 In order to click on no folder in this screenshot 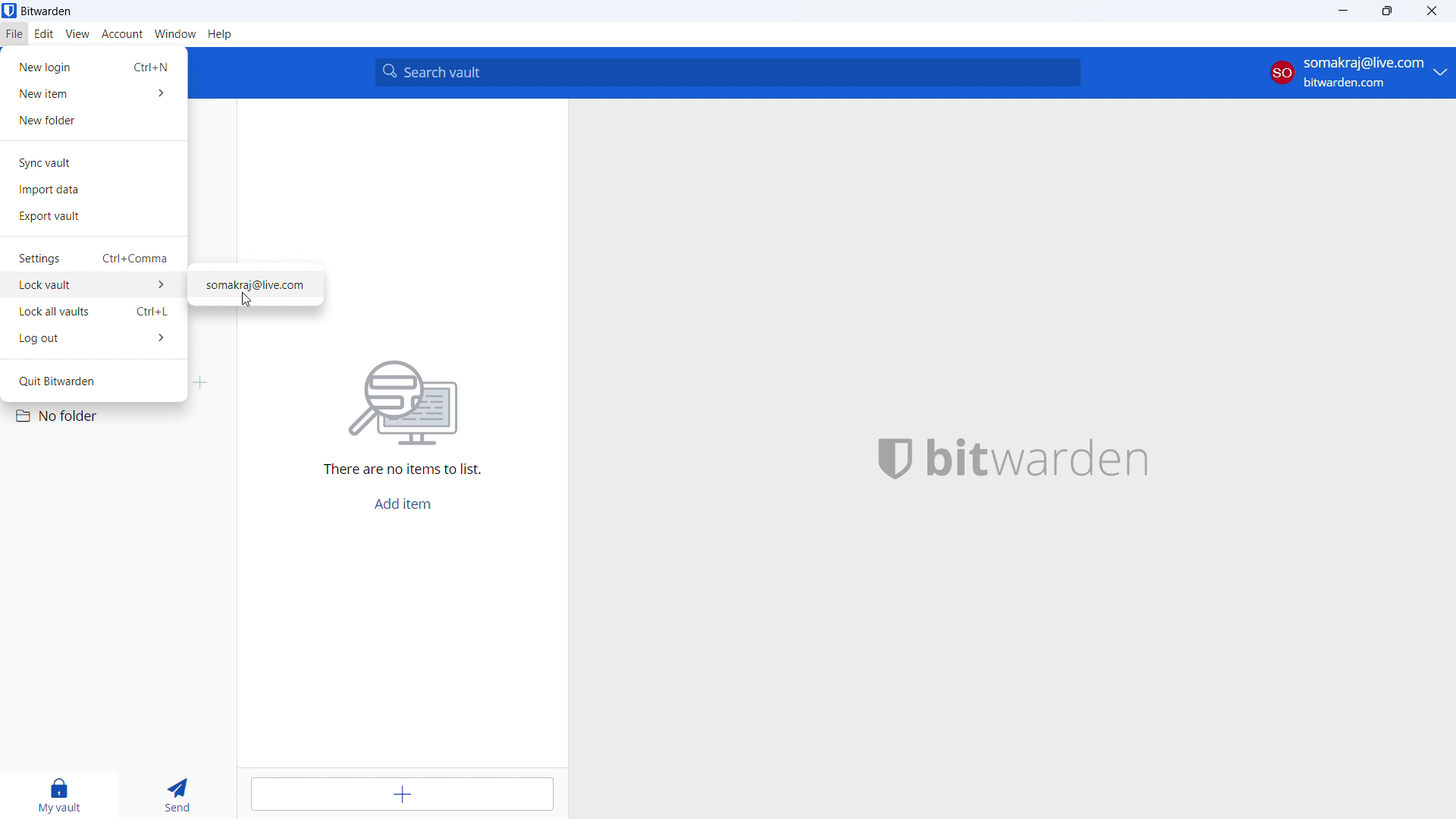, I will do `click(115, 416)`.